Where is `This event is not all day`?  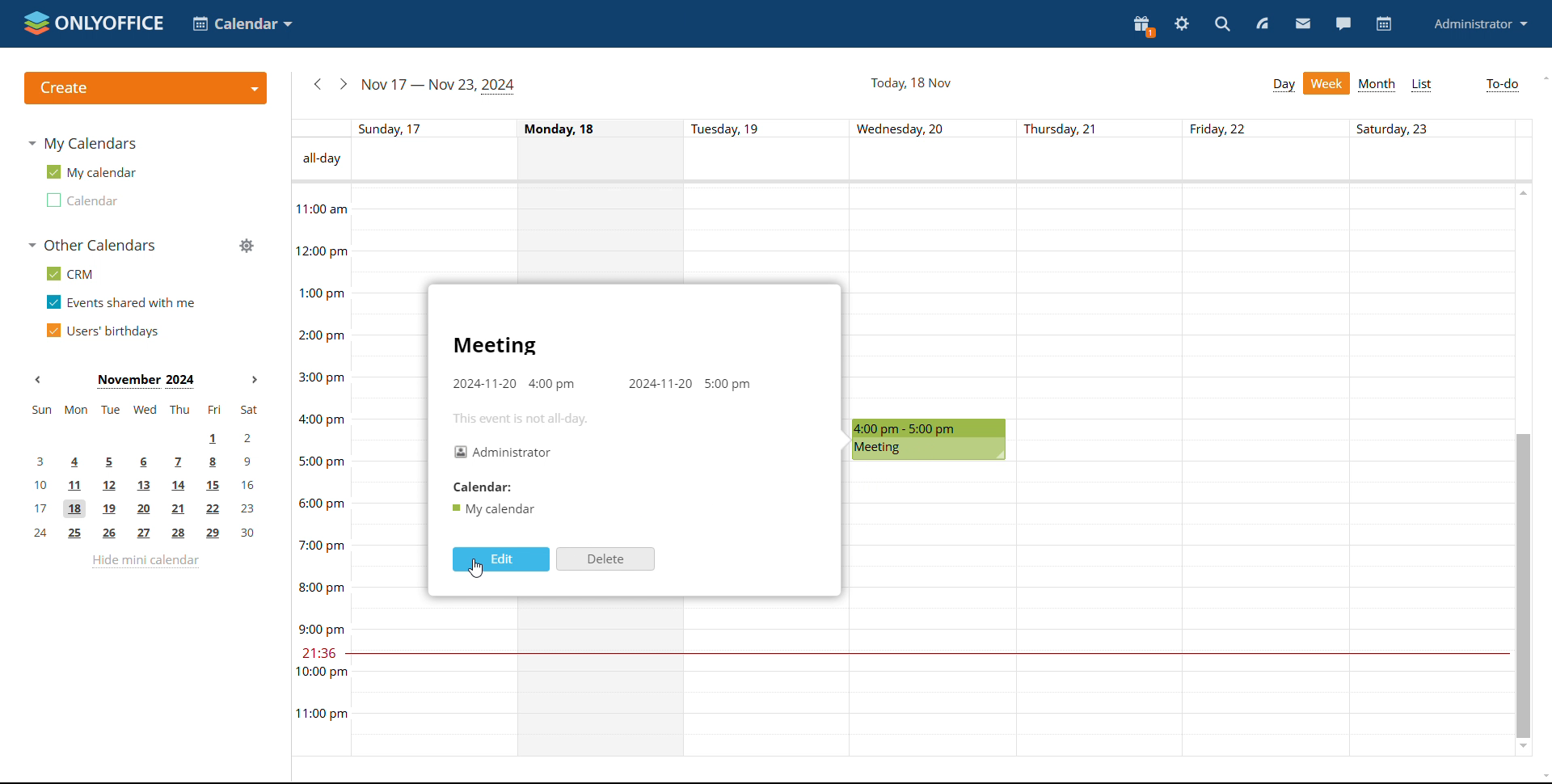 This event is not all day is located at coordinates (525, 419).